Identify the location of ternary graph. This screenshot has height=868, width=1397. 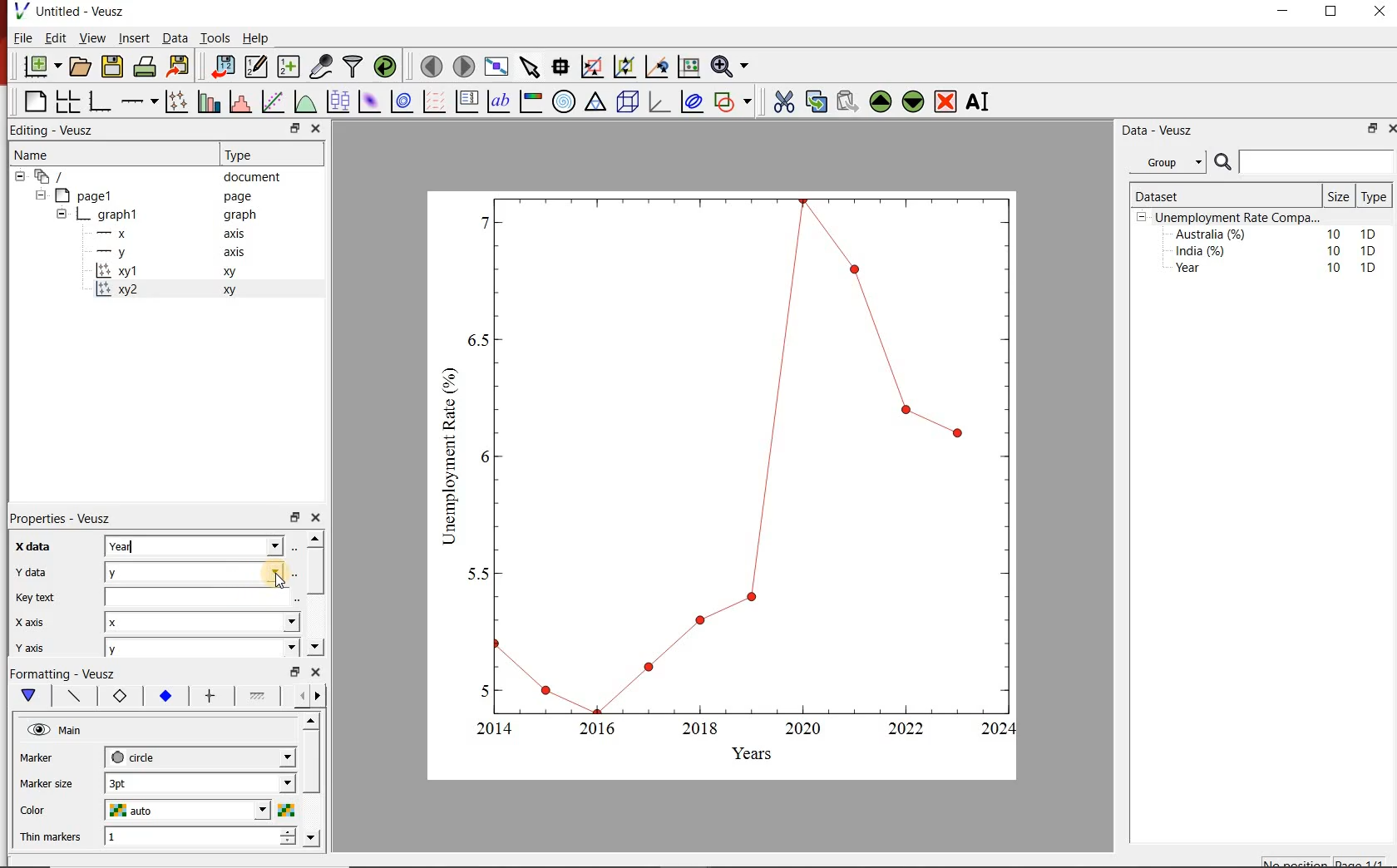
(595, 101).